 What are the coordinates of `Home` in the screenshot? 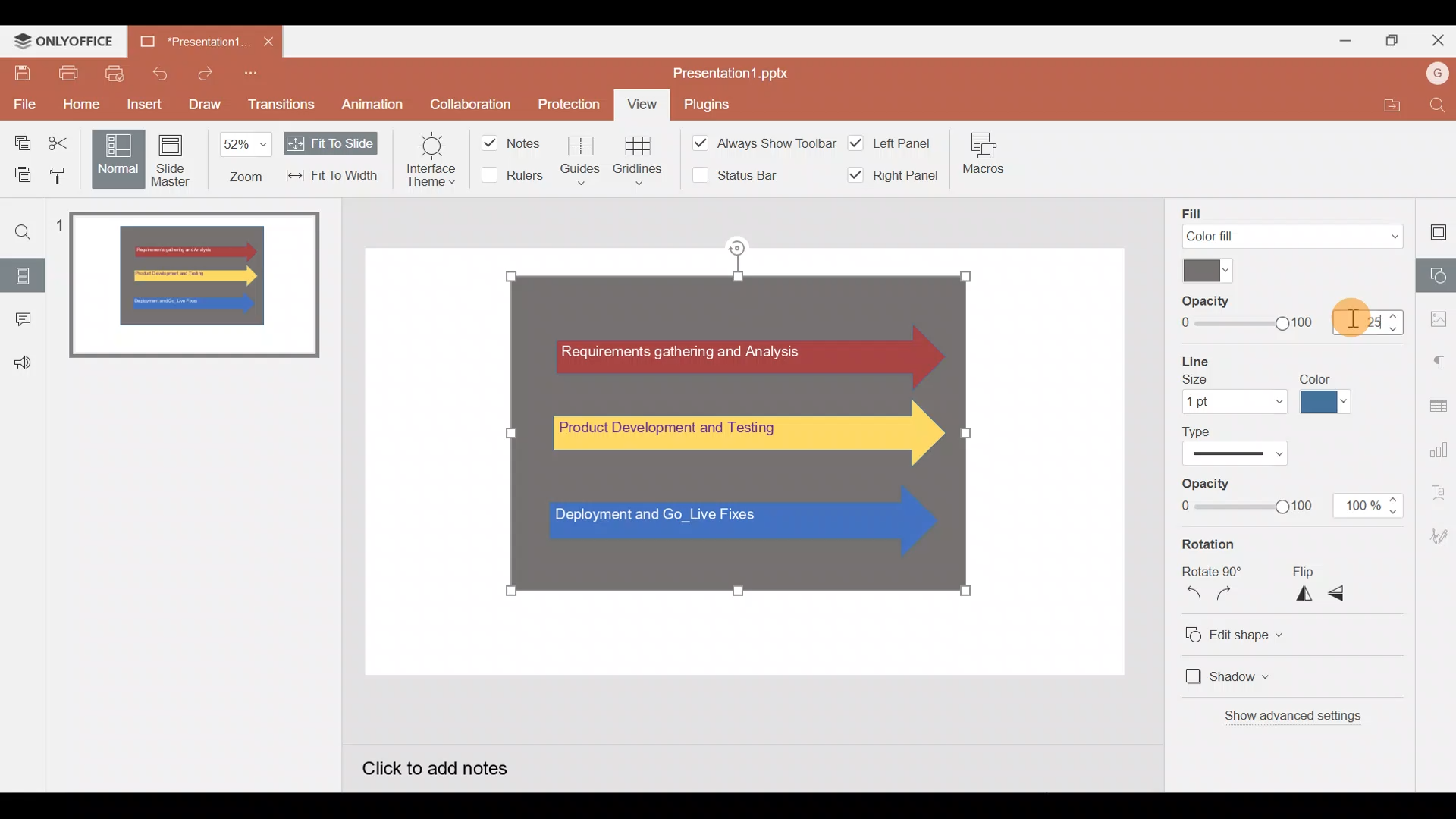 It's located at (74, 105).